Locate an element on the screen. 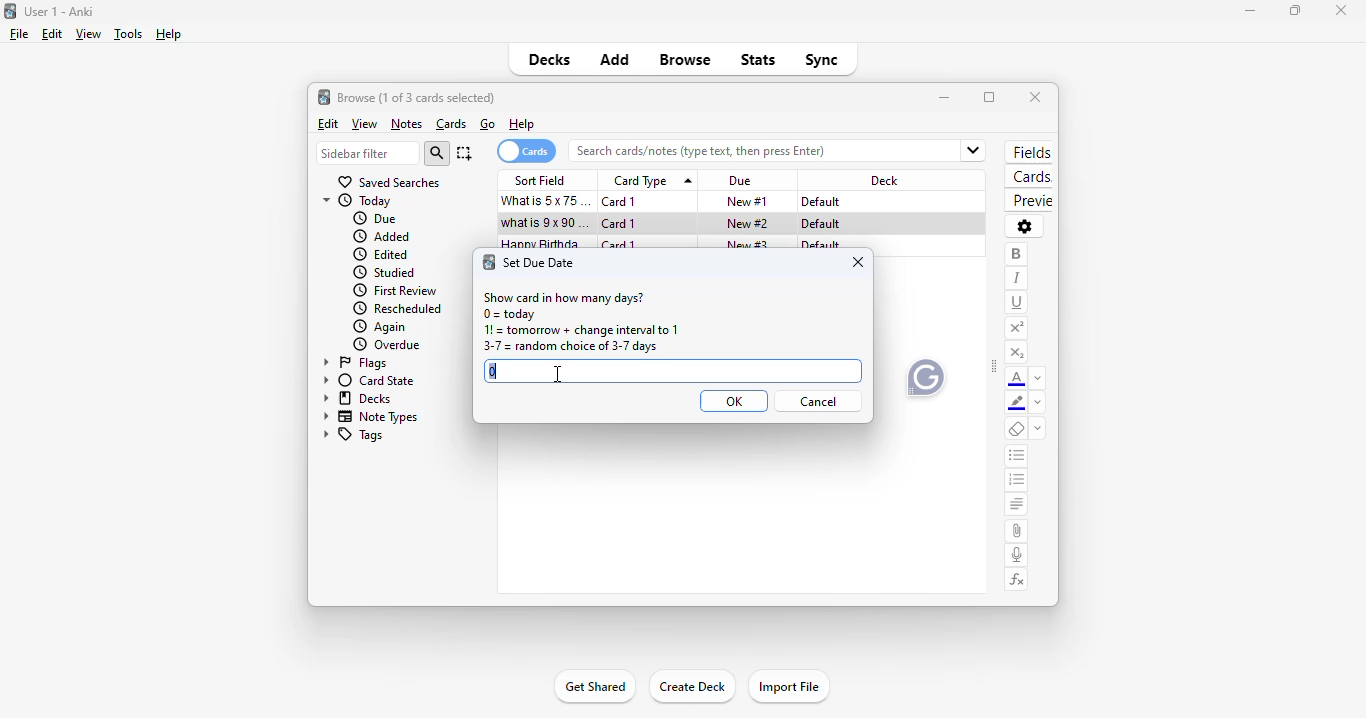  0 is located at coordinates (493, 371).